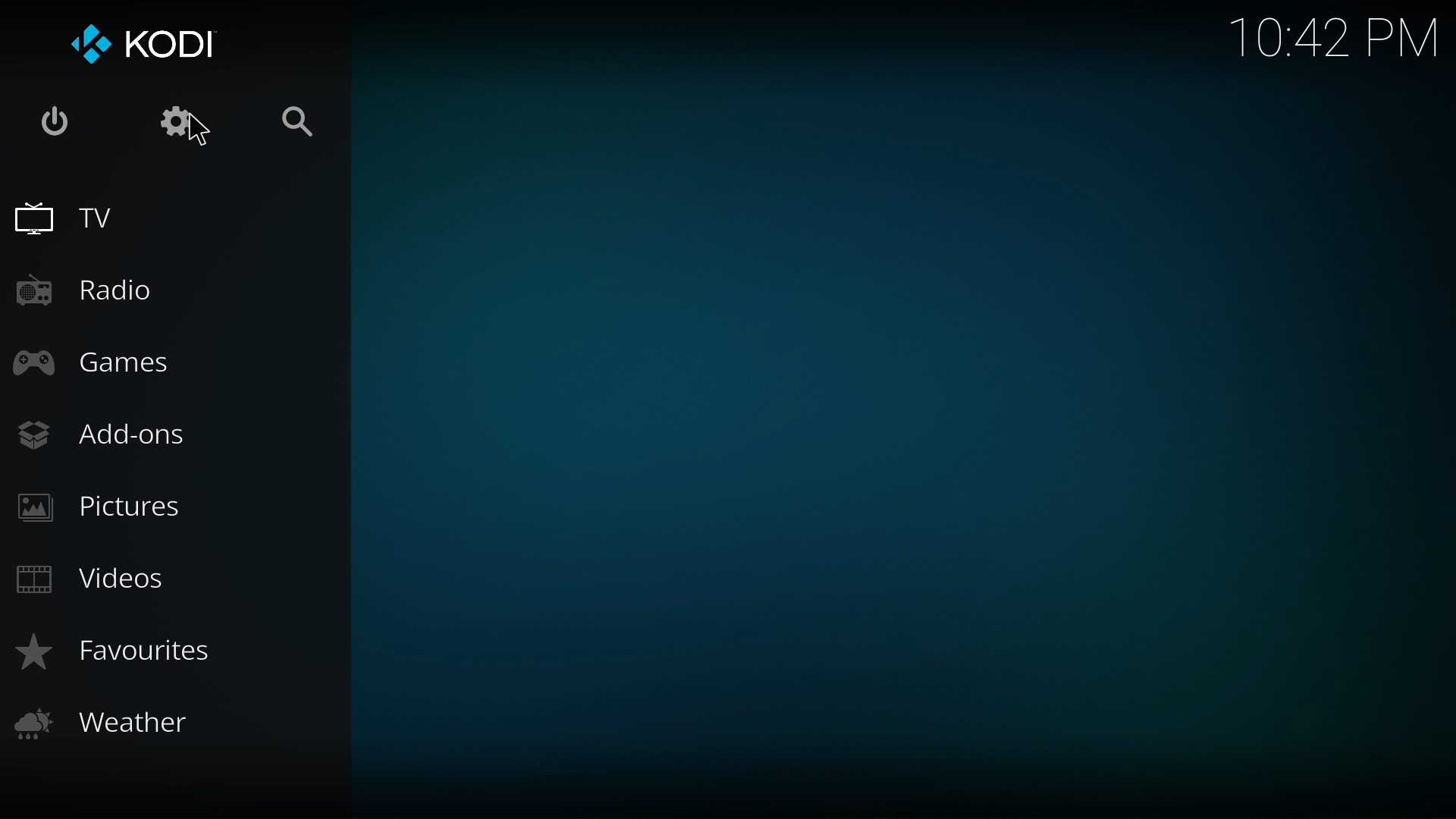 The height and width of the screenshot is (819, 1456). What do you see at coordinates (91, 369) in the screenshot?
I see `games` at bounding box center [91, 369].